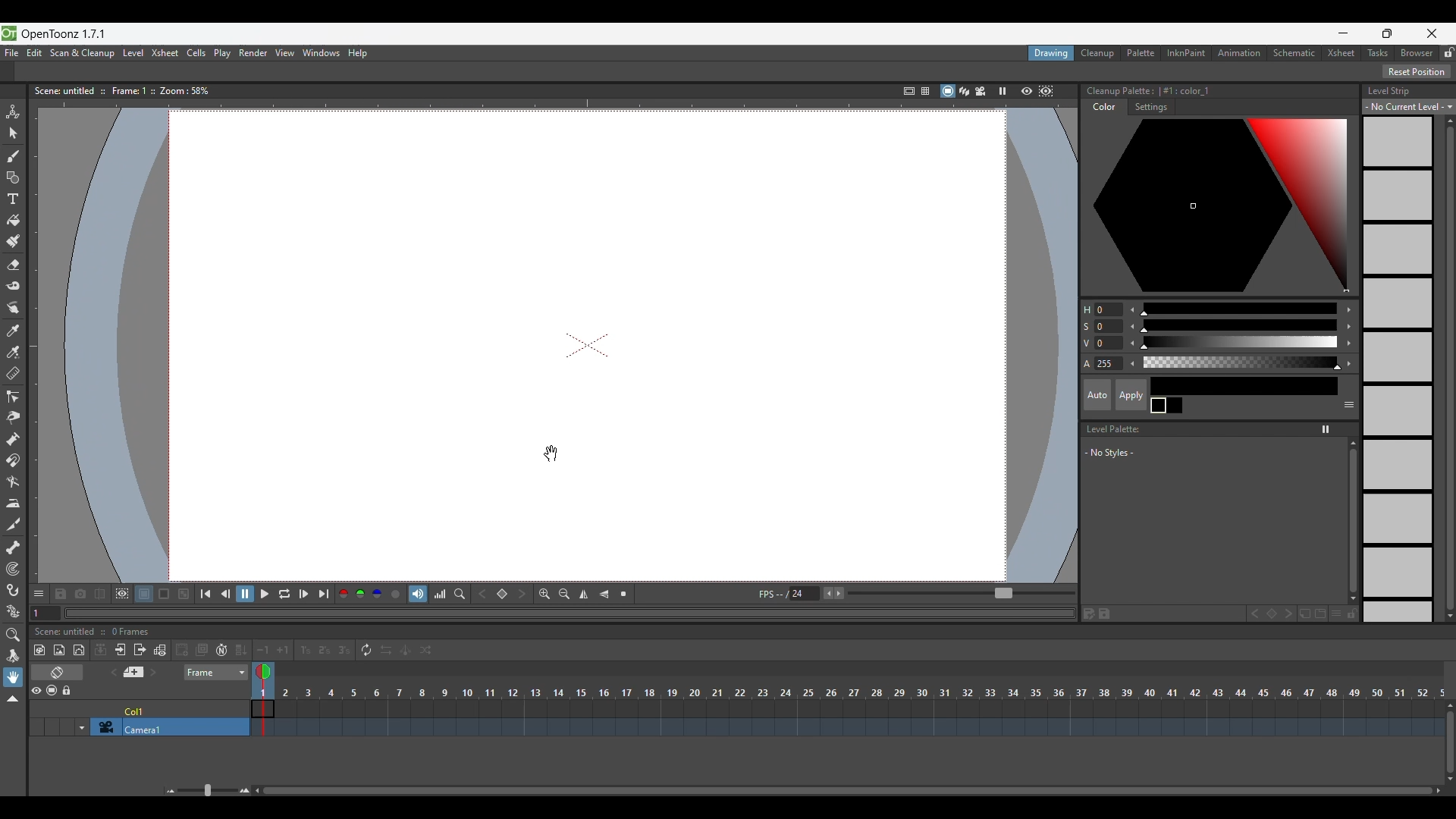  Describe the element at coordinates (182, 650) in the screenshot. I see `Create blank drawing` at that location.